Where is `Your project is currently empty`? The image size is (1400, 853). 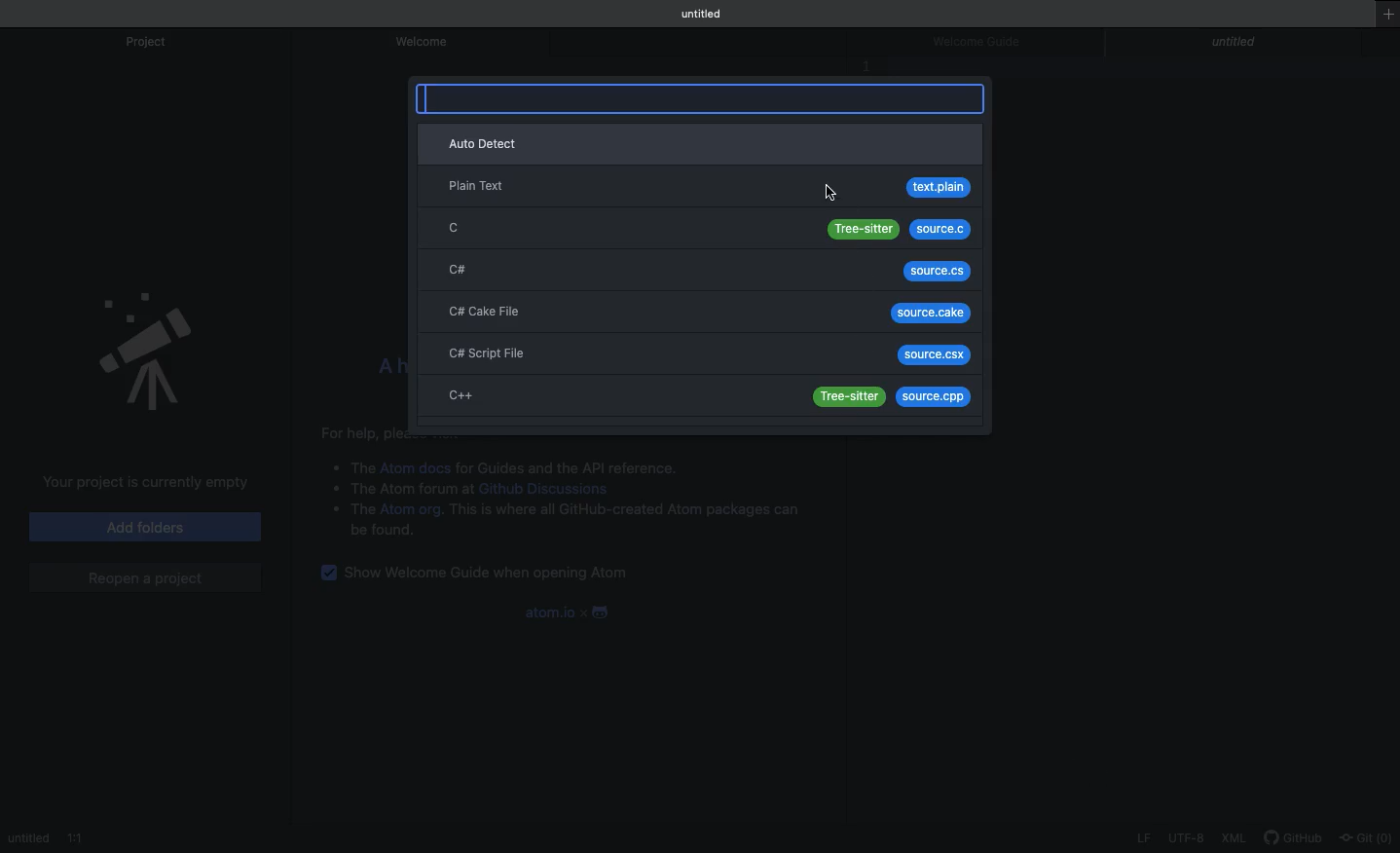
Your project is currently empty is located at coordinates (136, 483).